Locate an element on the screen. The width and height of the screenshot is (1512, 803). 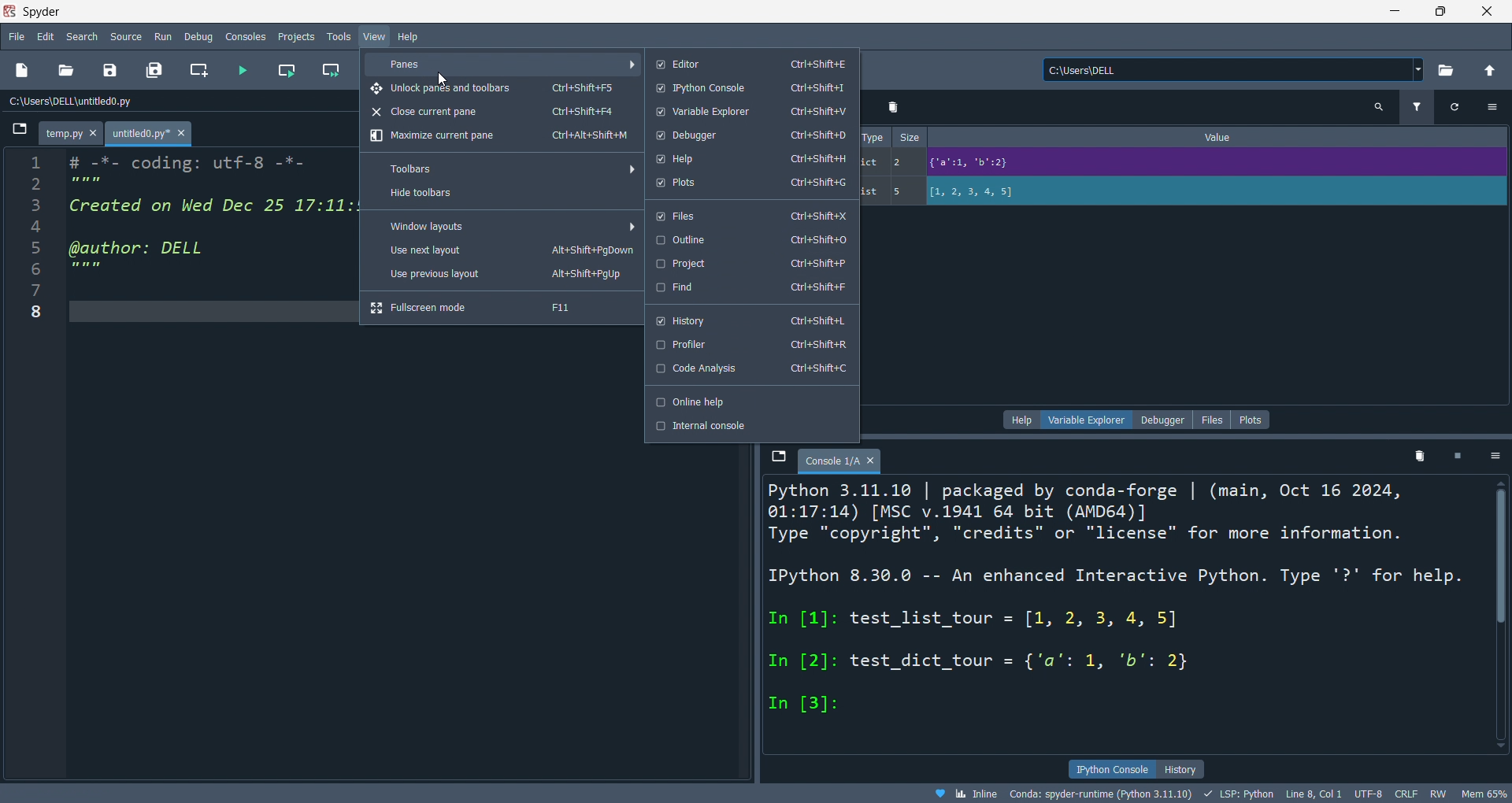
options is located at coordinates (1492, 109).